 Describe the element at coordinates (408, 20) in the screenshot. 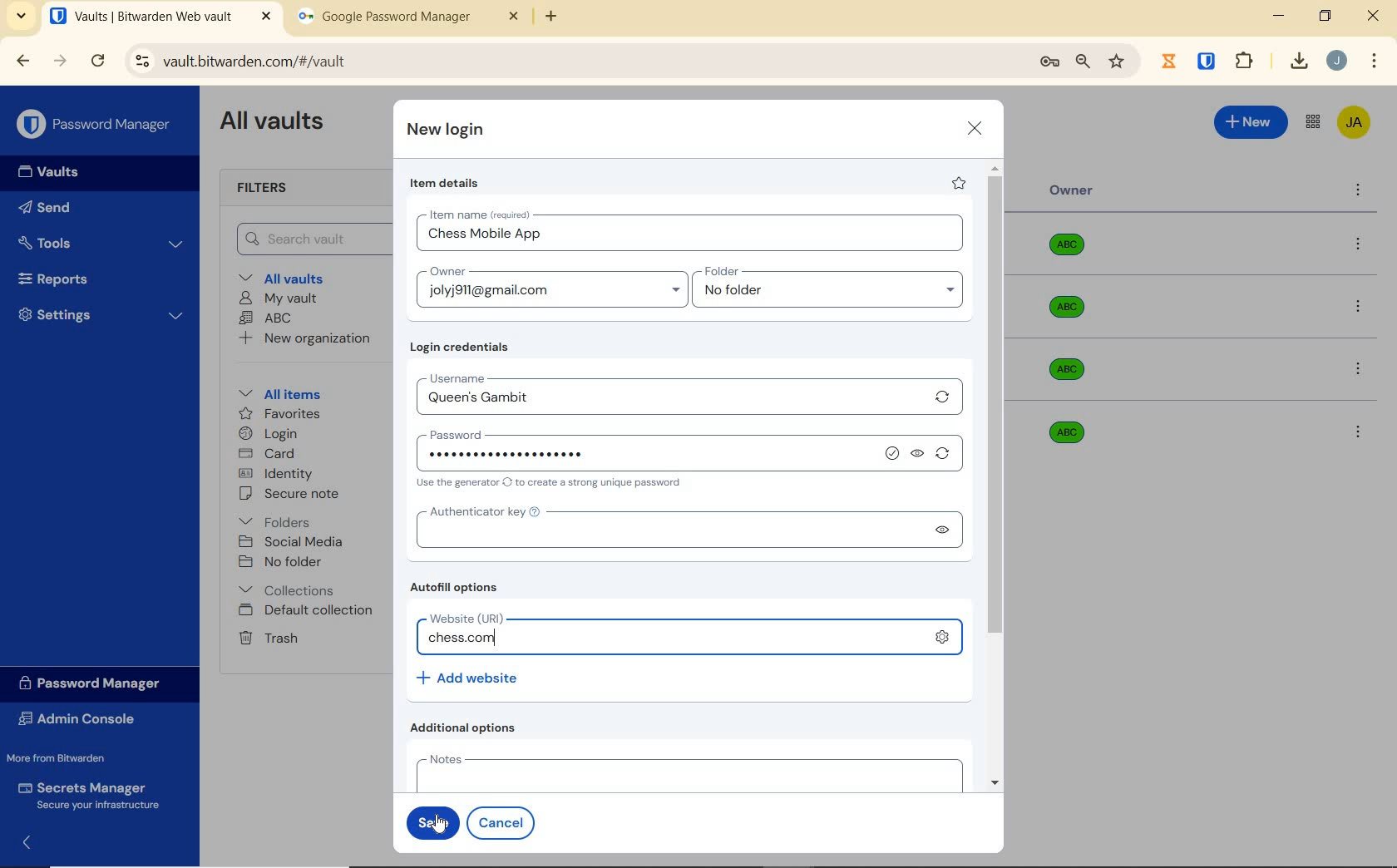

I see `tab` at that location.